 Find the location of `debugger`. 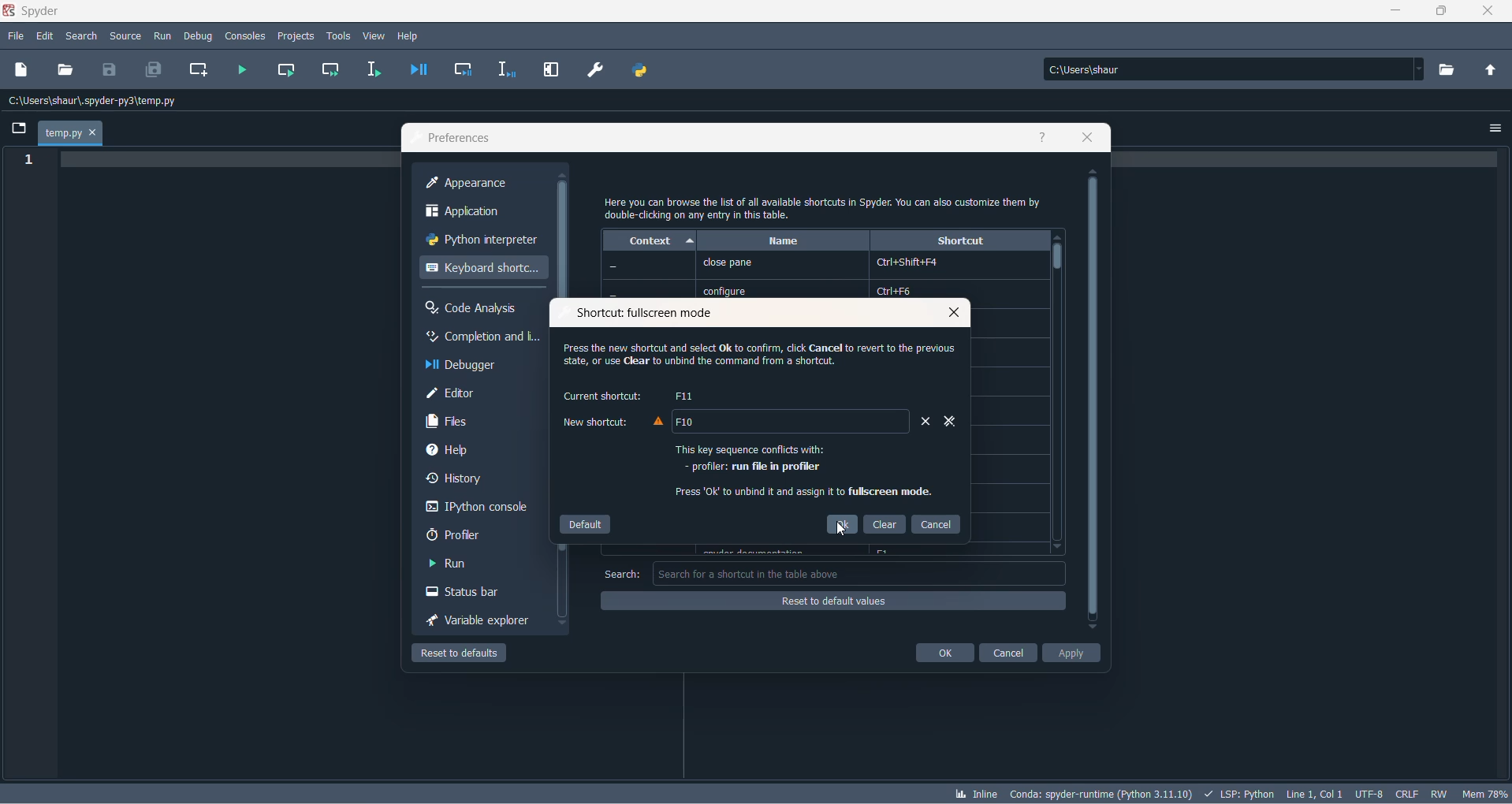

debugger is located at coordinates (483, 366).